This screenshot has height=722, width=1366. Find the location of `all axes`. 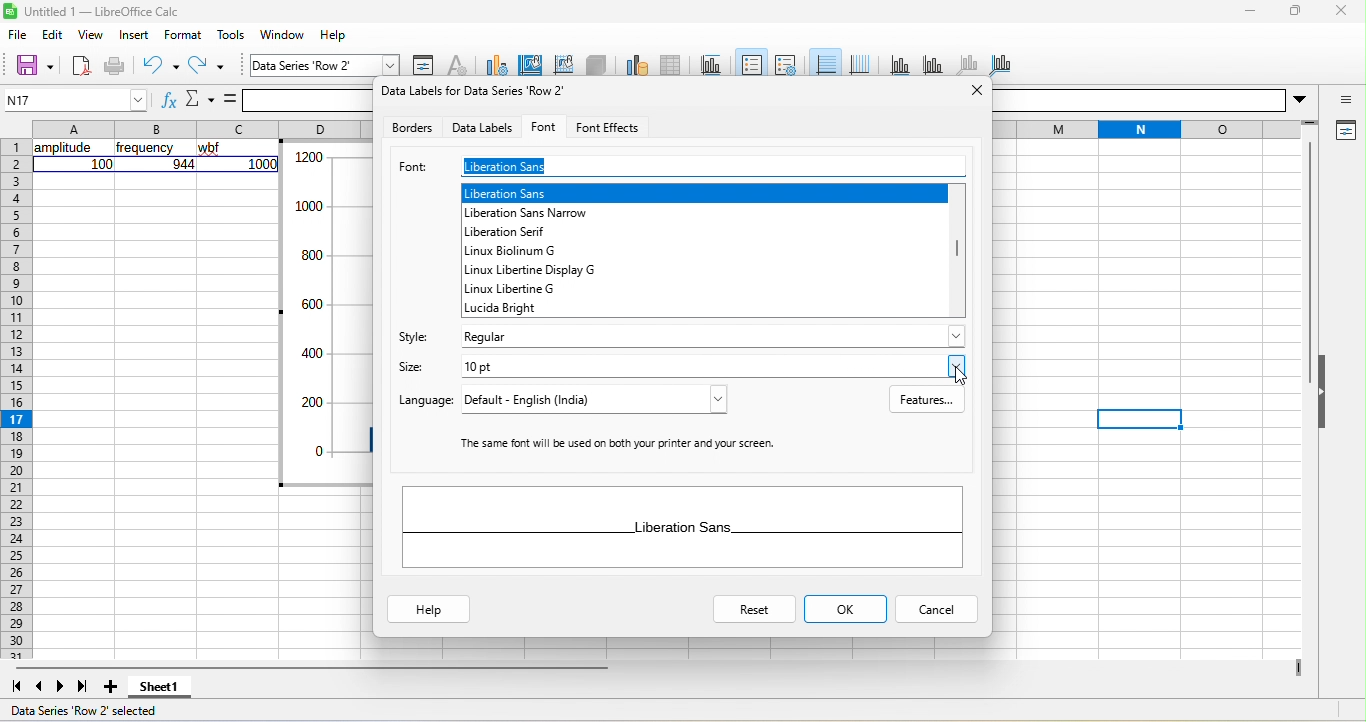

all axes is located at coordinates (1004, 63).